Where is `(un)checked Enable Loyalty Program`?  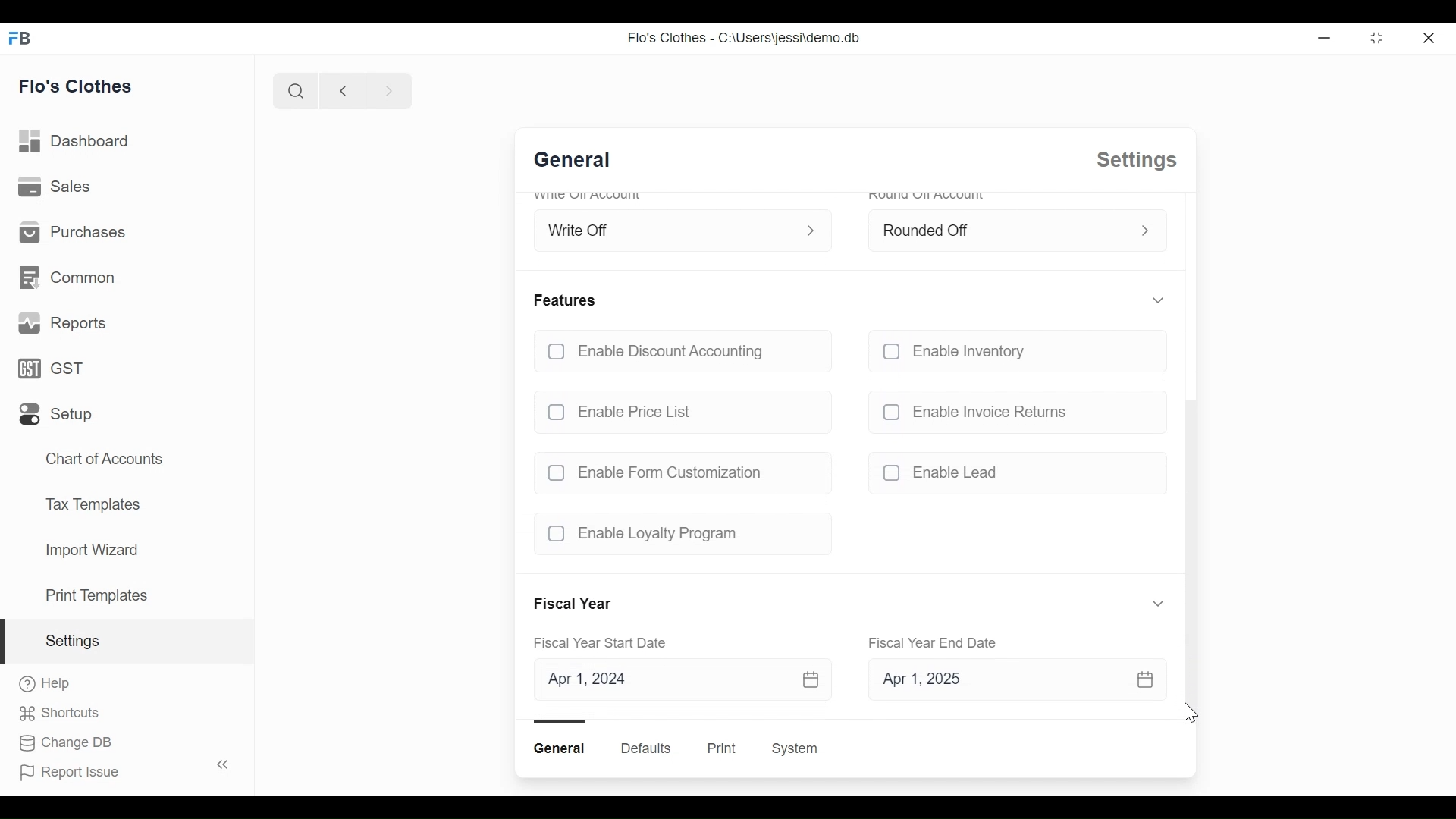
(un)checked Enable Loyalty Program is located at coordinates (676, 534).